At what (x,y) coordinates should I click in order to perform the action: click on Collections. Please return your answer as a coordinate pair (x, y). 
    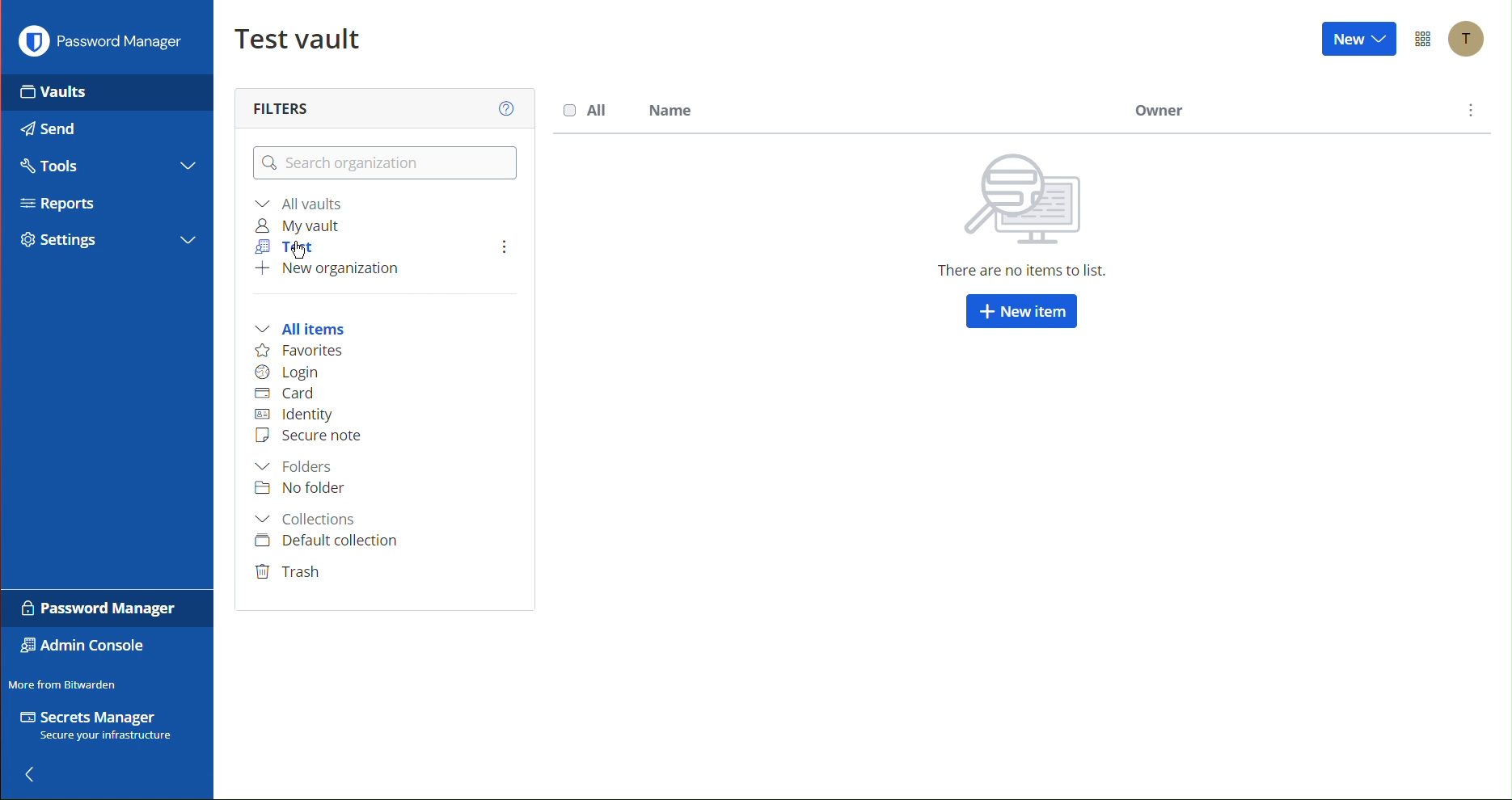
    Looking at the image, I should click on (310, 518).